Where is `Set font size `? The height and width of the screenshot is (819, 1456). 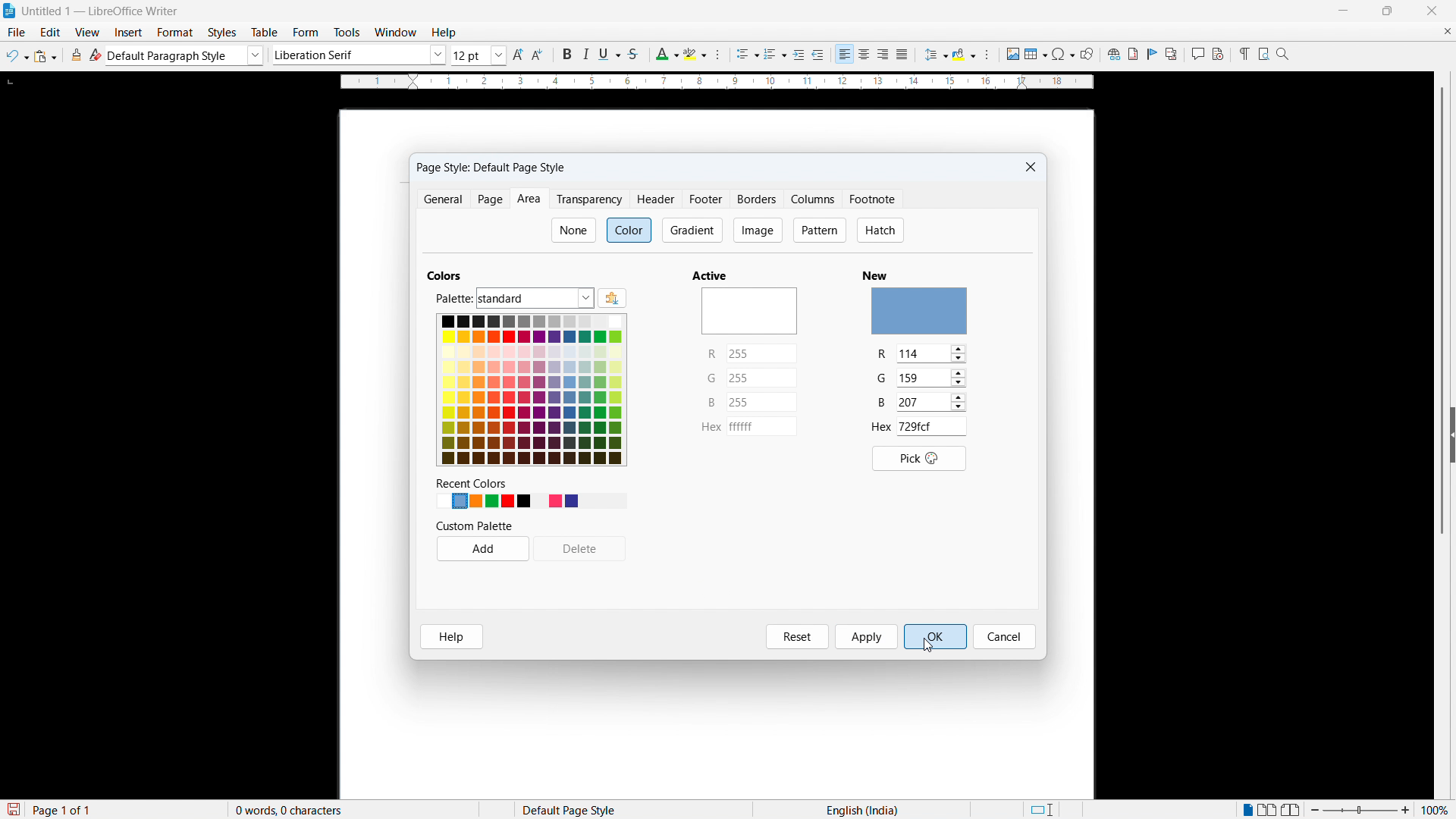 Set font size  is located at coordinates (479, 55).